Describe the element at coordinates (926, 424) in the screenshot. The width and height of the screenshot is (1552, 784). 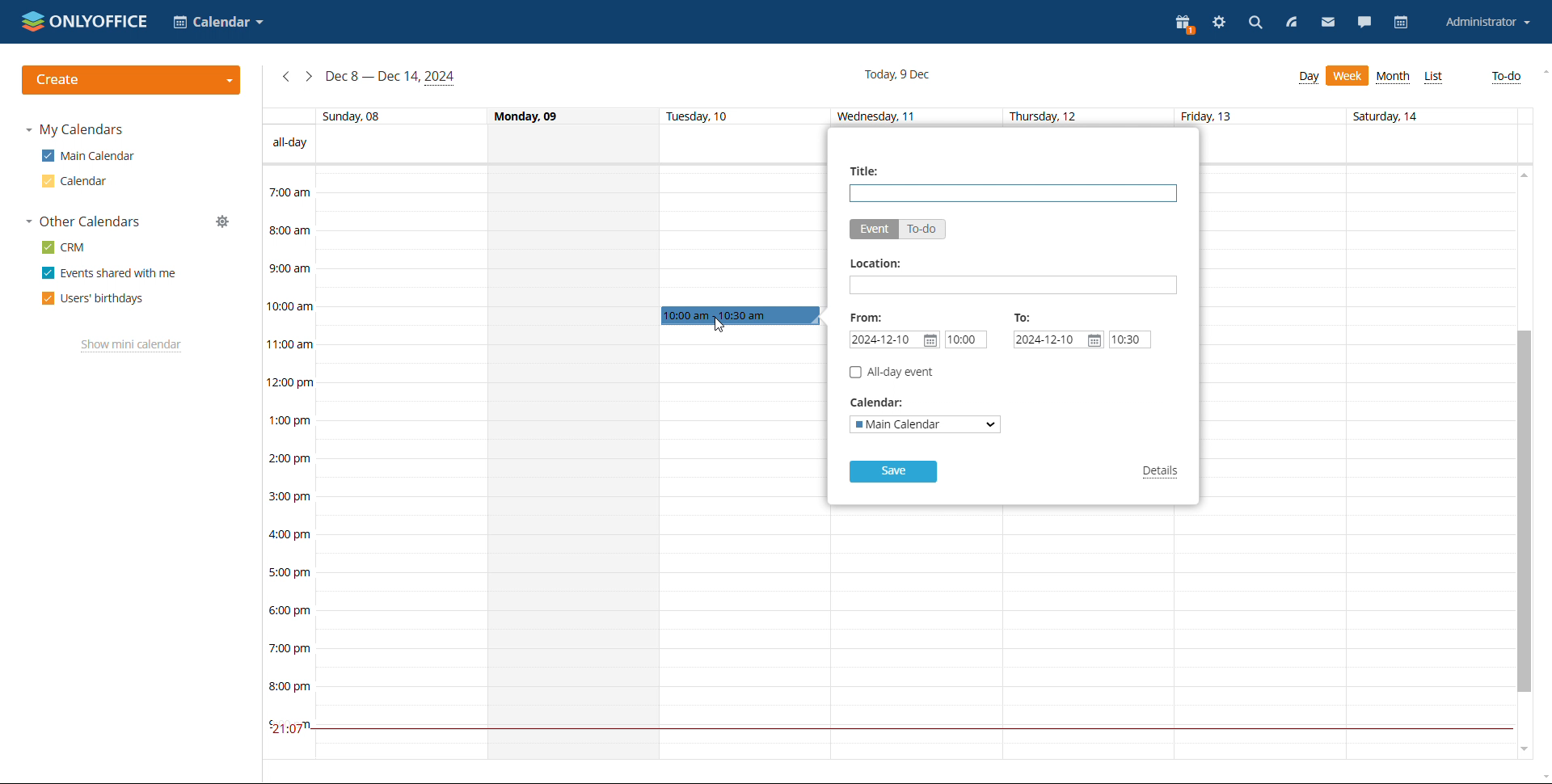
I see `select calendar` at that location.